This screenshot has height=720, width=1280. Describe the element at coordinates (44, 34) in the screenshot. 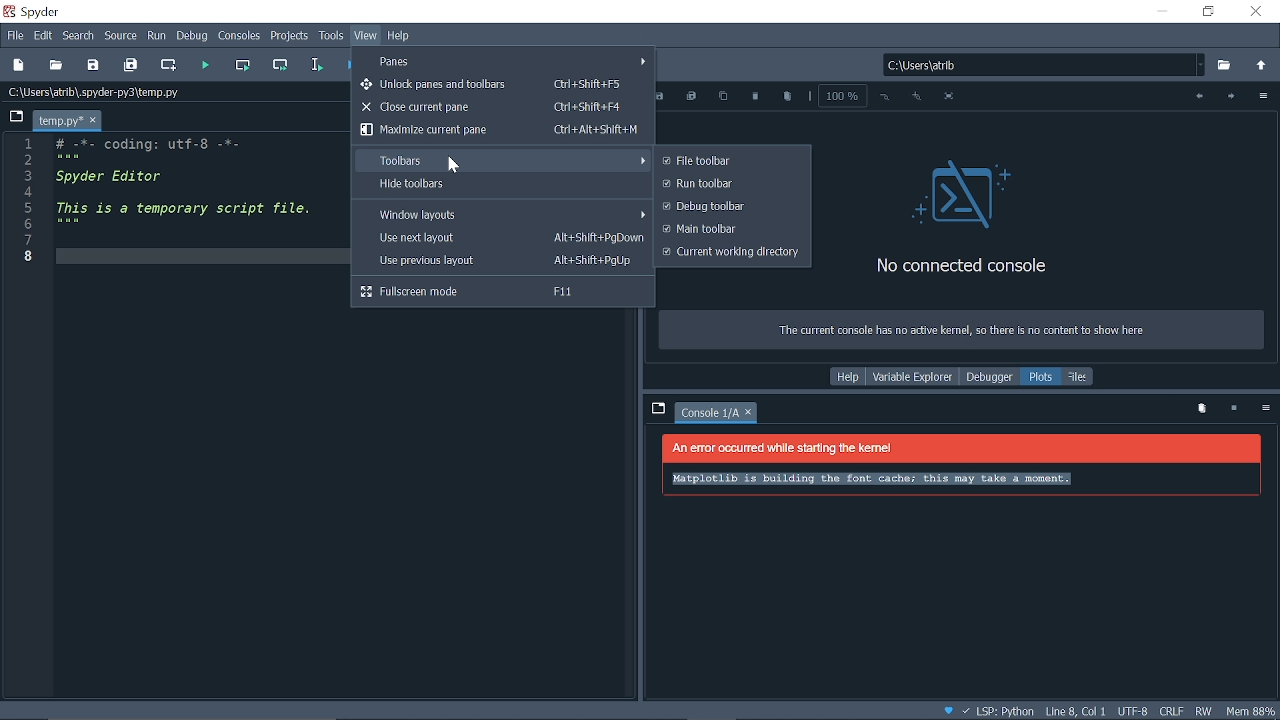

I see `Edit` at that location.